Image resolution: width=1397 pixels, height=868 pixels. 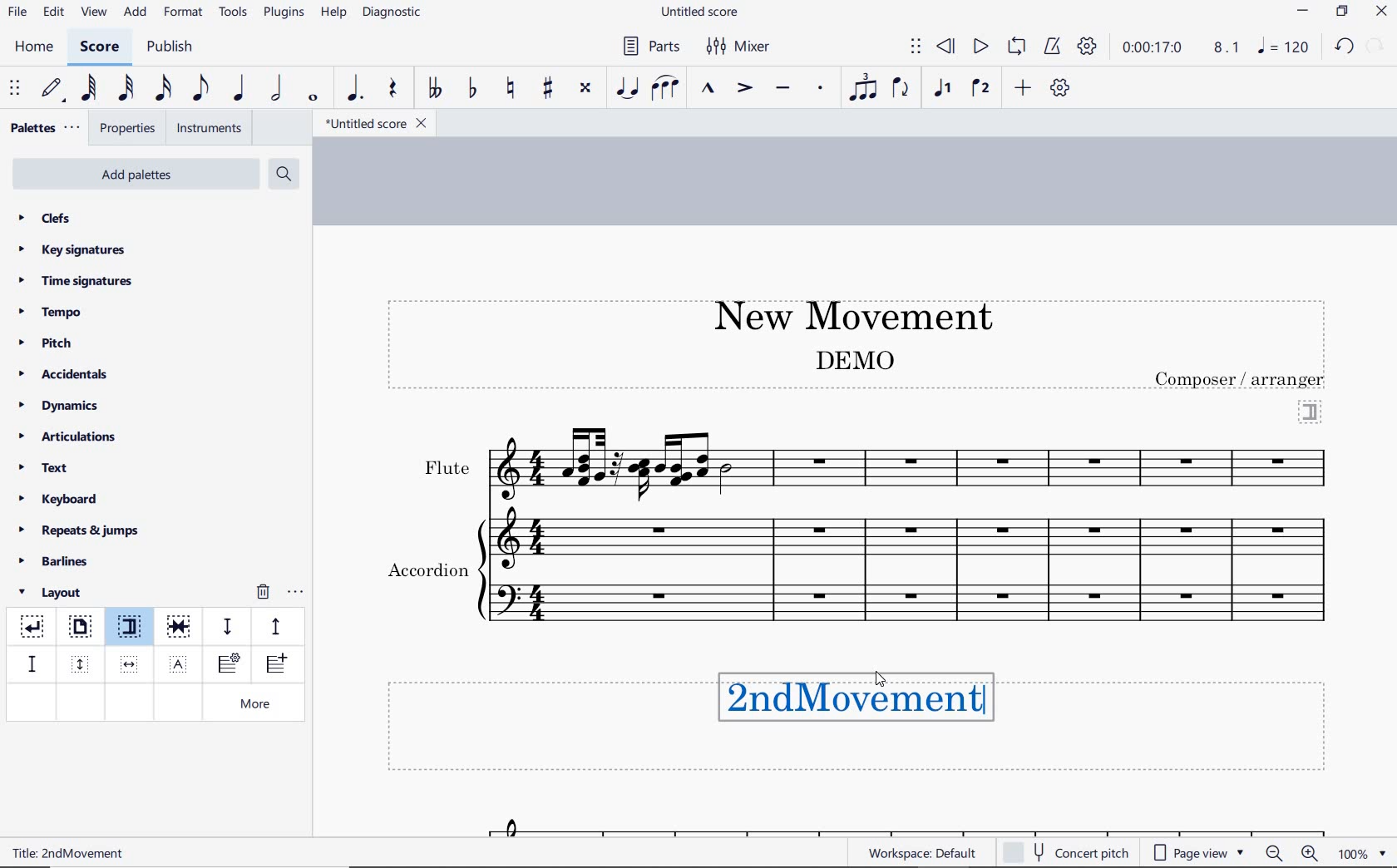 What do you see at coordinates (914, 462) in the screenshot?
I see `Instrument: Flute` at bounding box center [914, 462].